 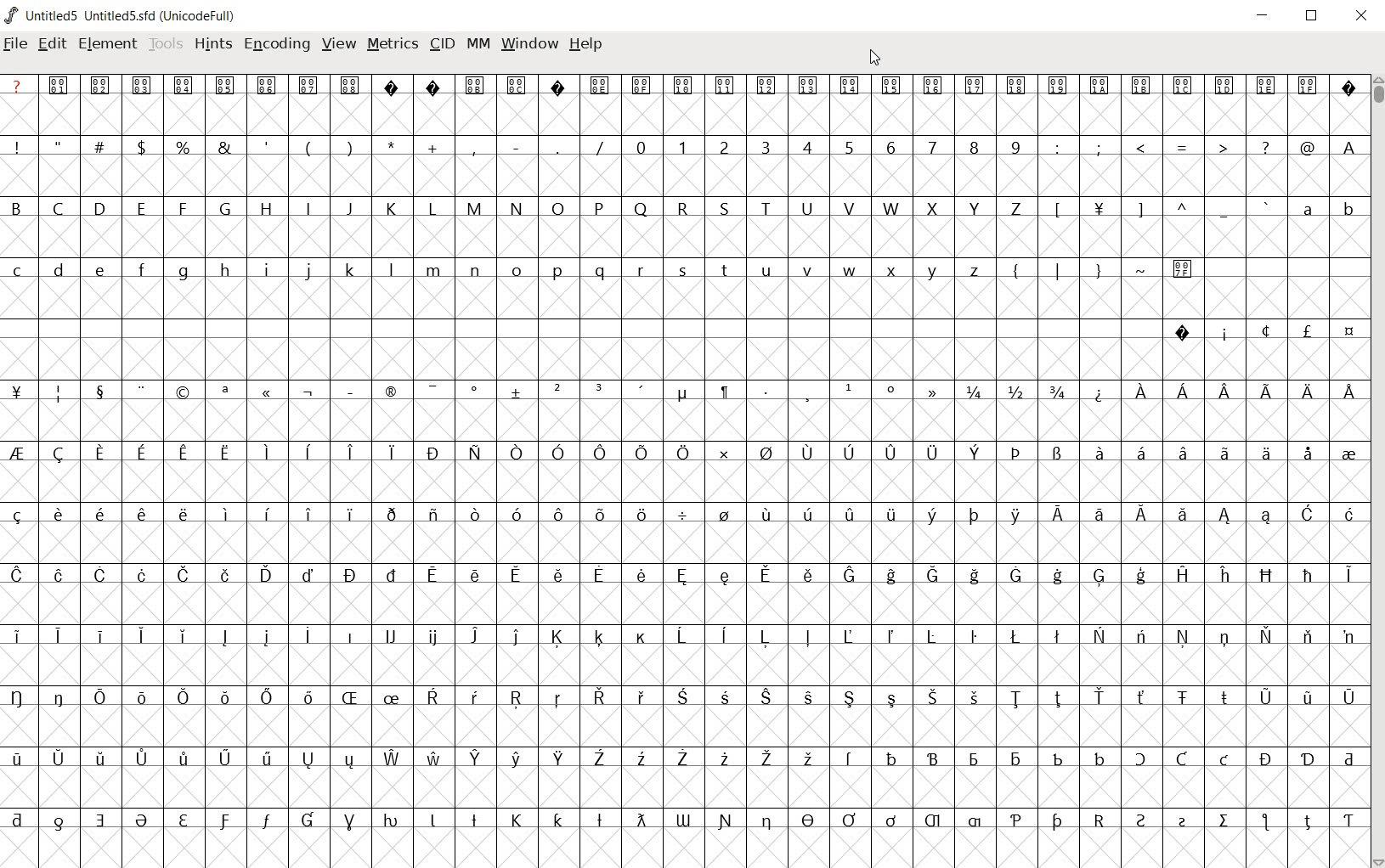 I want to click on Symbol, so click(x=562, y=515).